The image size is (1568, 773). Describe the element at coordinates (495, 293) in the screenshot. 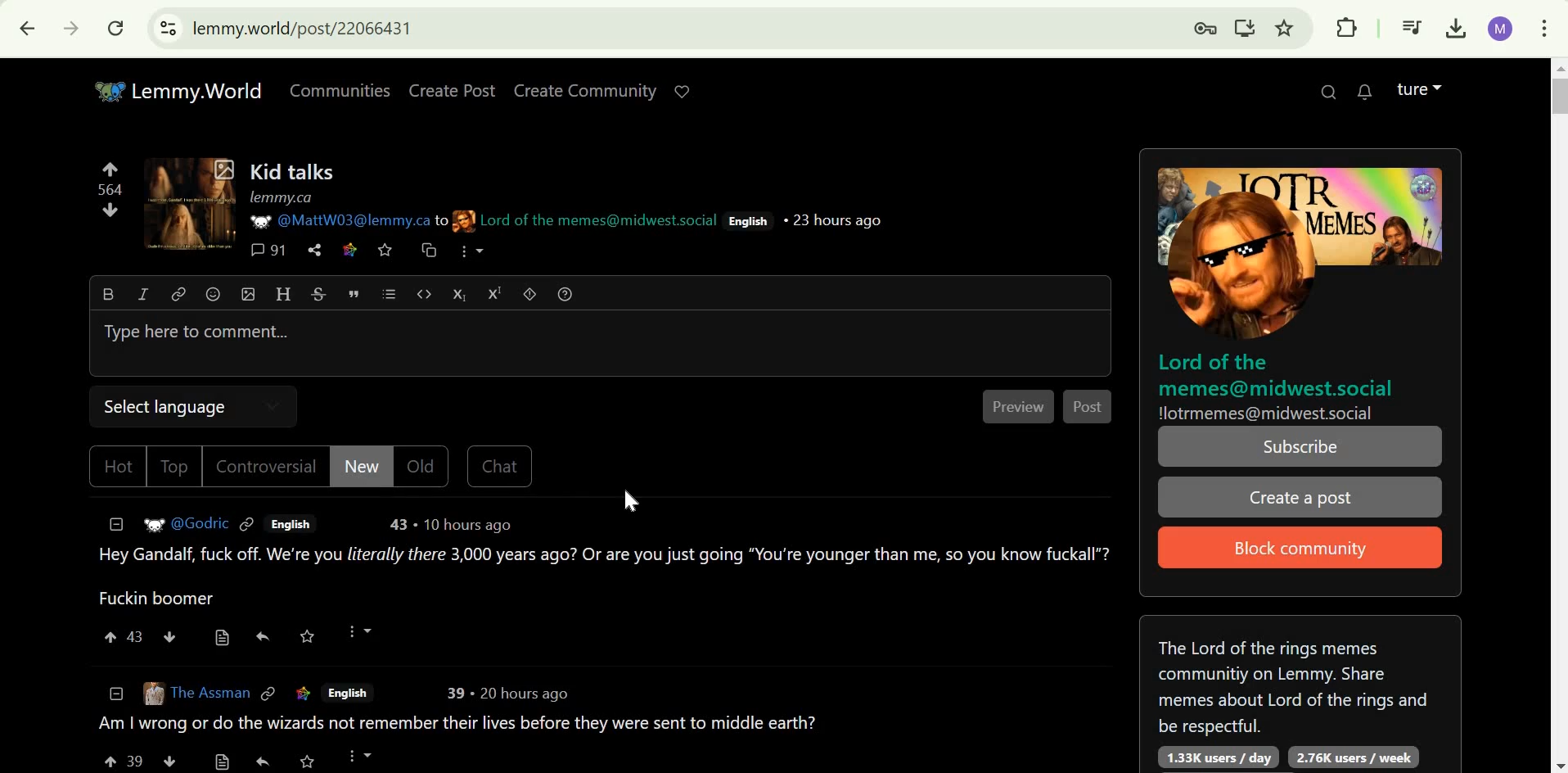

I see `superscript` at that location.